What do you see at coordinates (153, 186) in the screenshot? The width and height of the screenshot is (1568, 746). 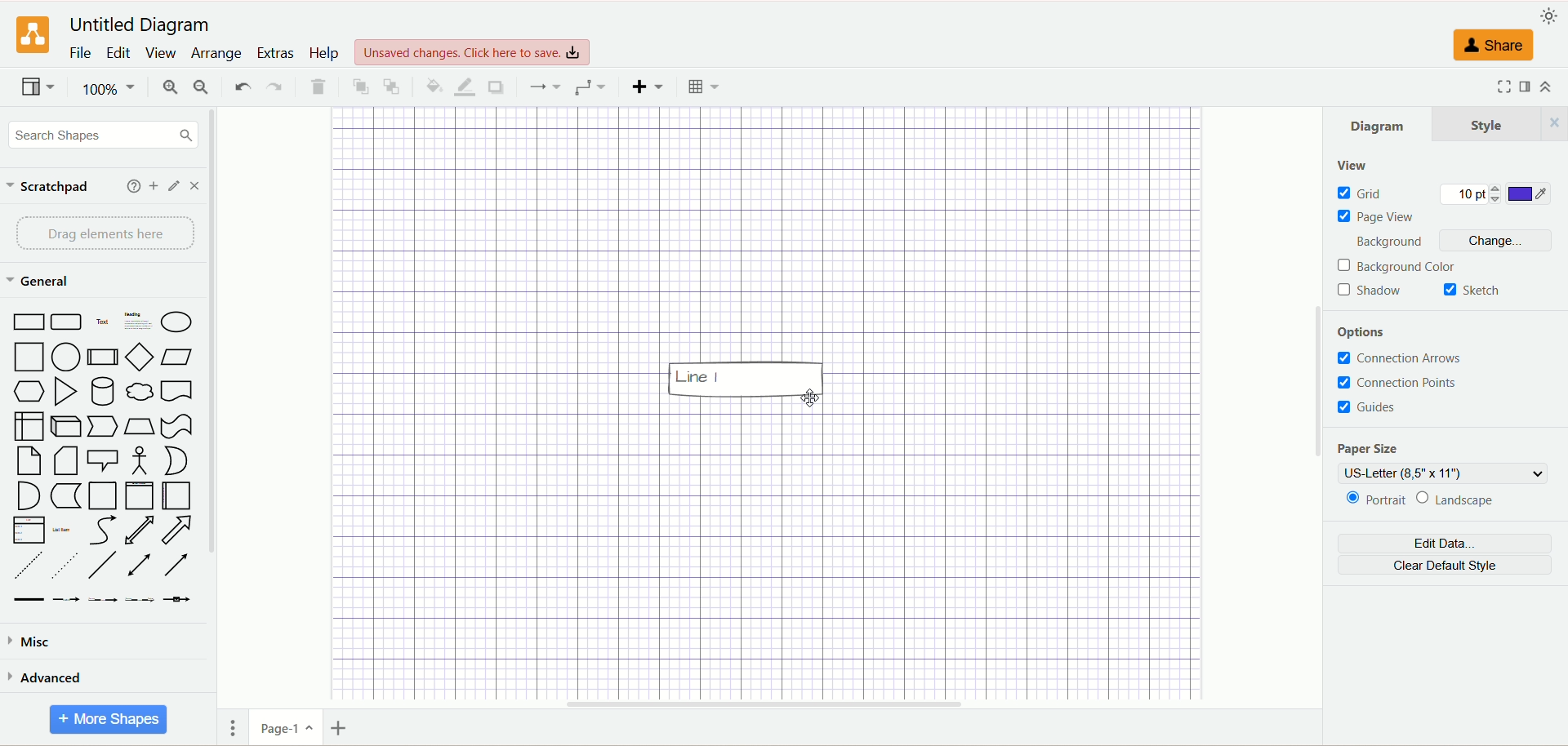 I see `add` at bounding box center [153, 186].